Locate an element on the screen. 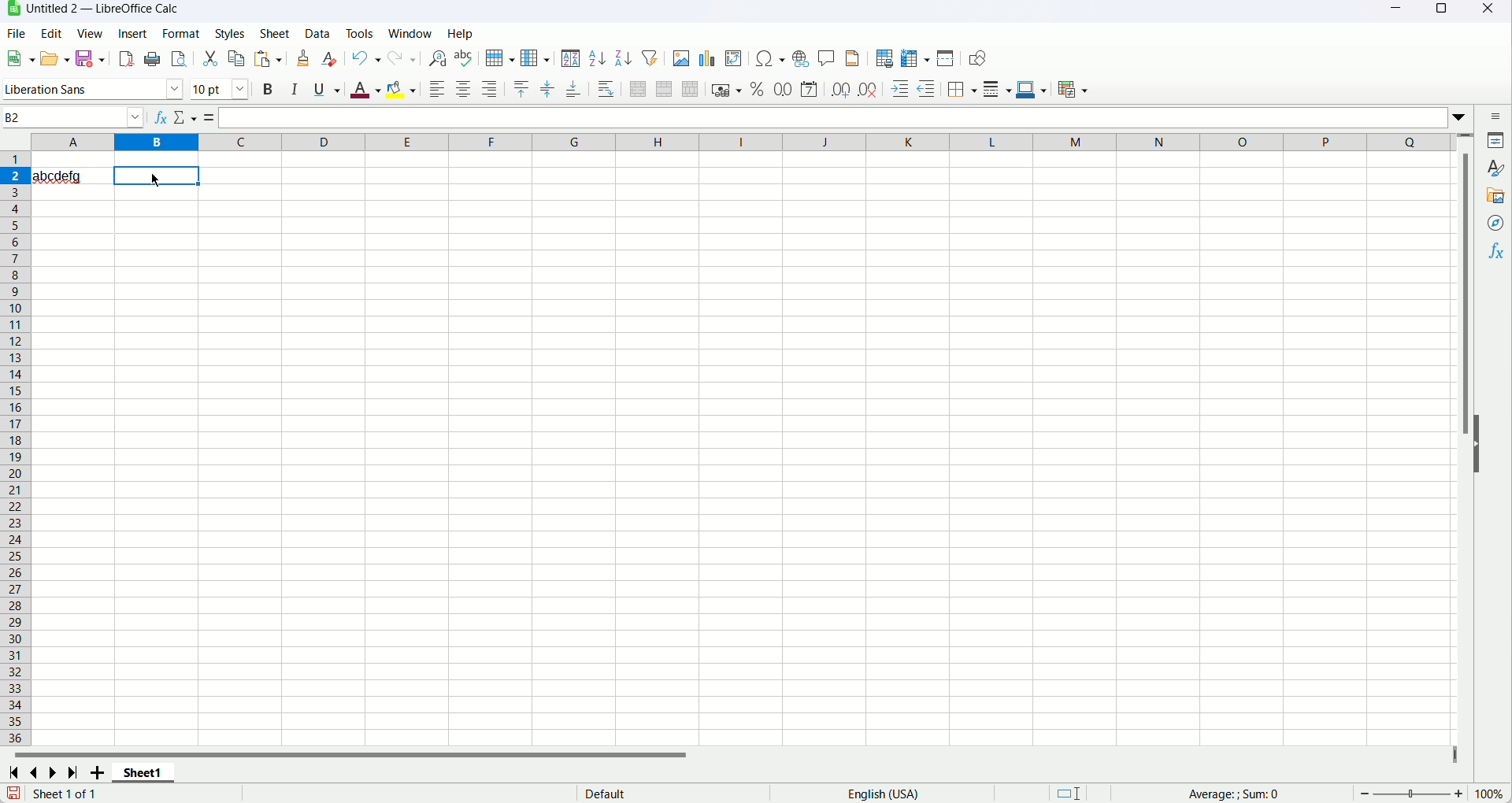 The width and height of the screenshot is (1512, 803). vertical scroll bar is located at coordinates (1469, 445).